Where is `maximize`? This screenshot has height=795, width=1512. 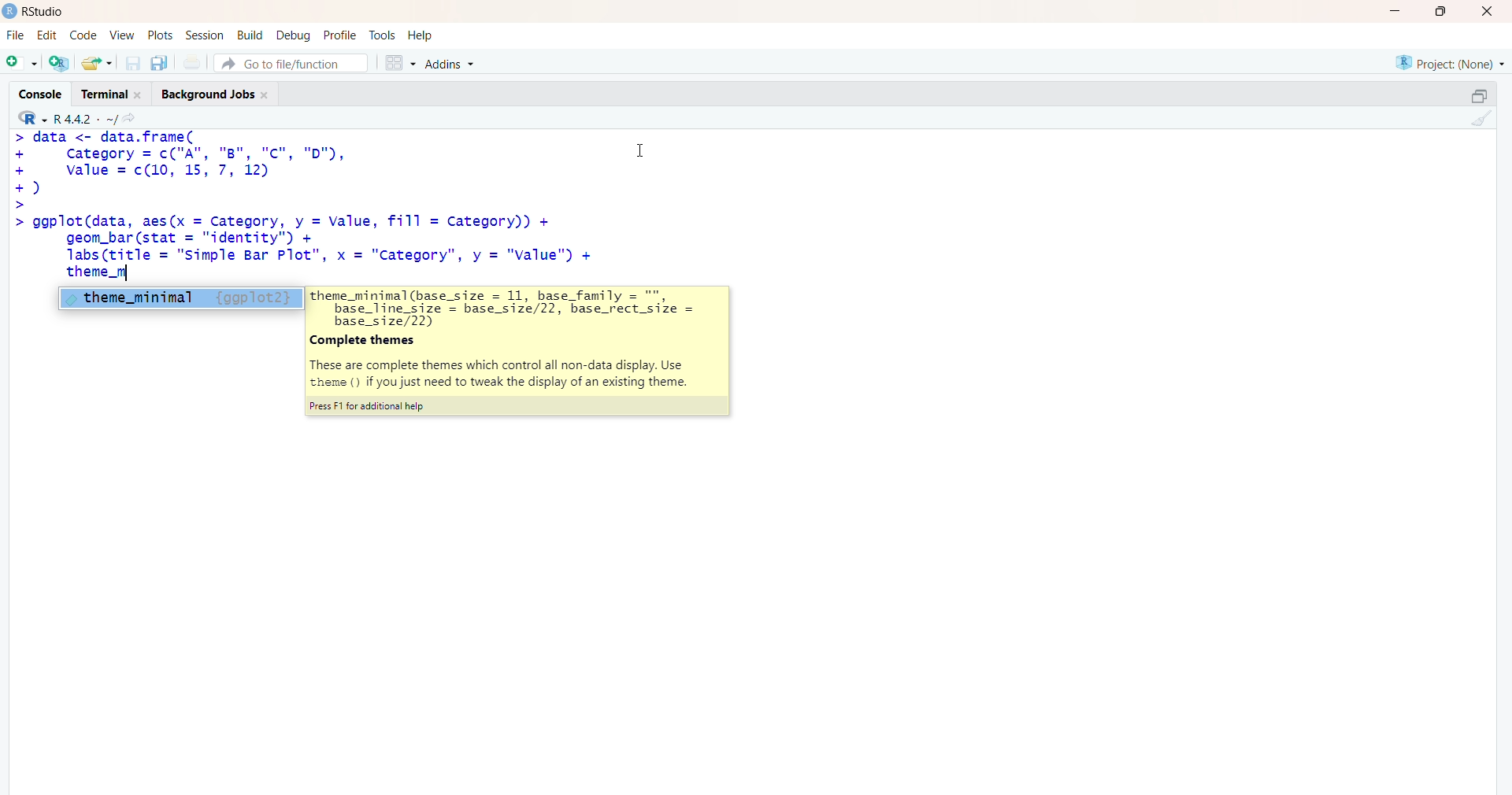 maximize is located at coordinates (1479, 96).